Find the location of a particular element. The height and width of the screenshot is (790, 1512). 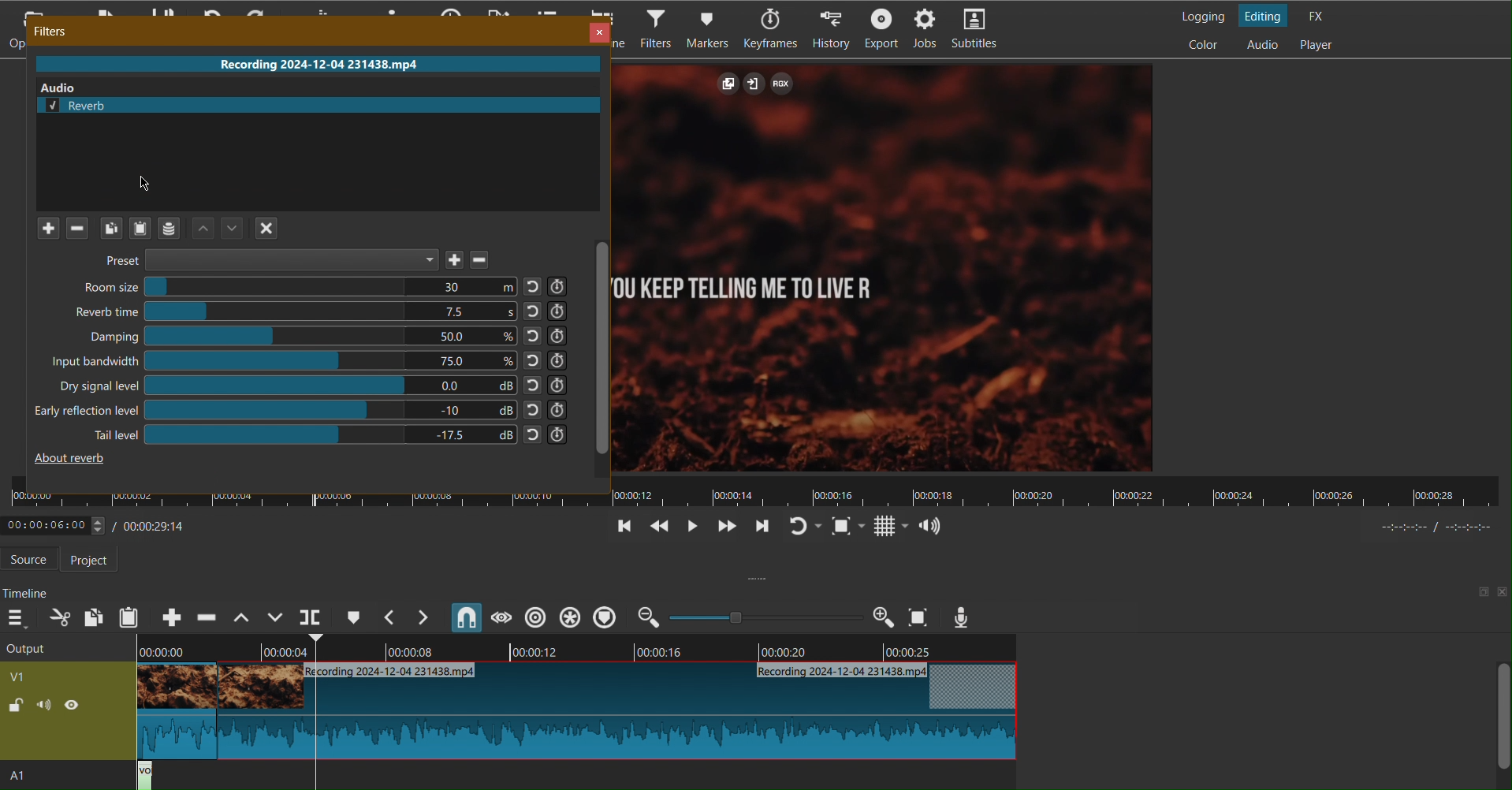

Zoom Fit is located at coordinates (919, 617).